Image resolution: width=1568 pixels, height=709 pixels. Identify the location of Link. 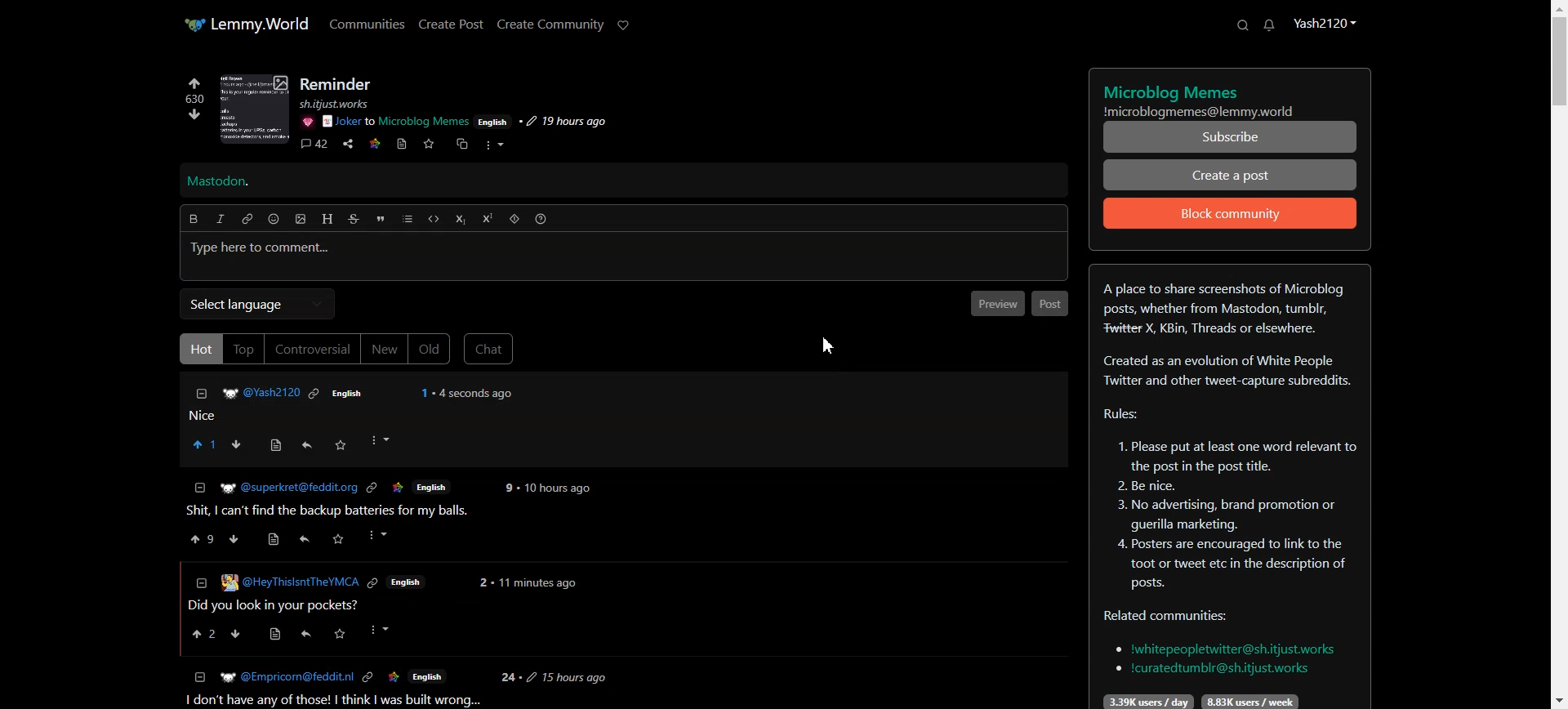
(367, 677).